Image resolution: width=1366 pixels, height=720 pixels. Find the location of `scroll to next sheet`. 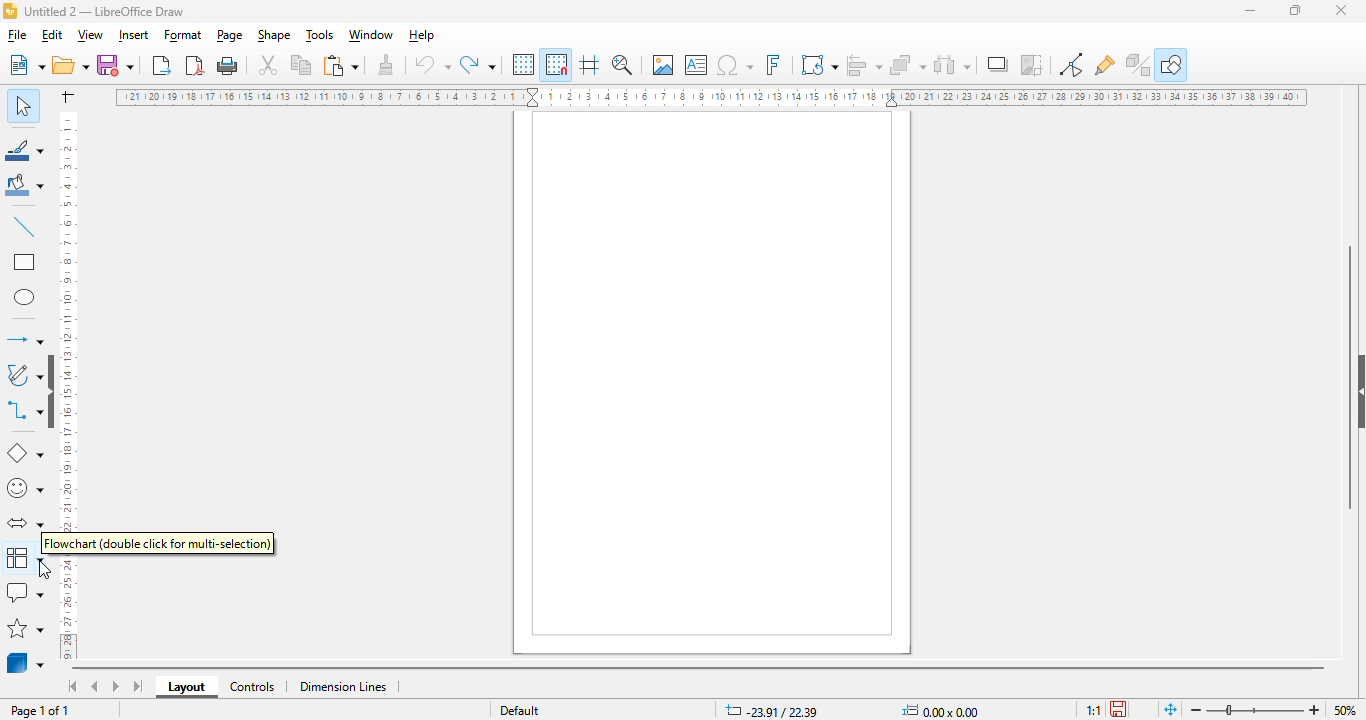

scroll to next sheet is located at coordinates (116, 687).